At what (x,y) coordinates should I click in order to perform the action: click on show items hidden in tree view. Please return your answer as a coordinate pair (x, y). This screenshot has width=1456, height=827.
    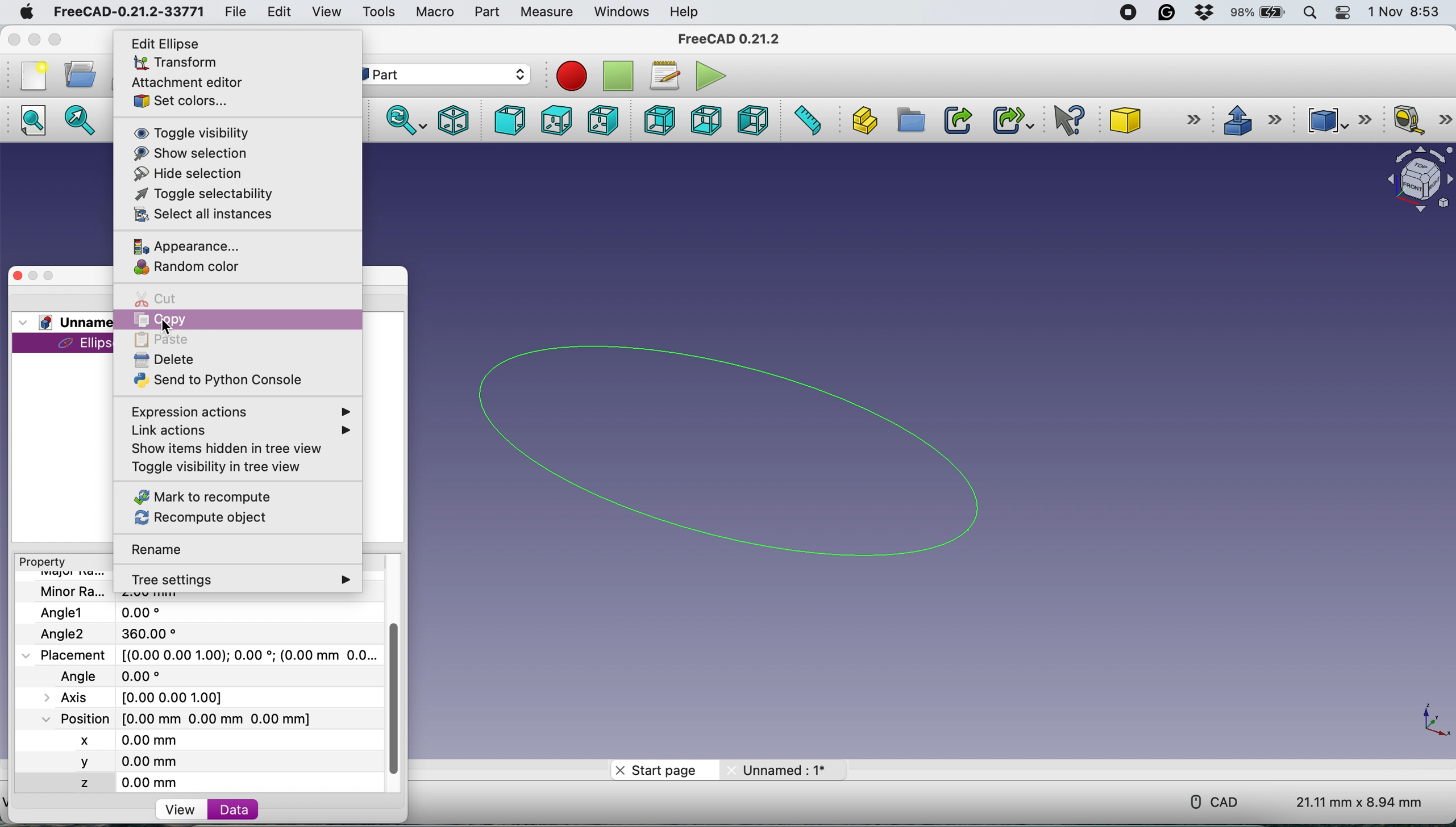
    Looking at the image, I should click on (228, 448).